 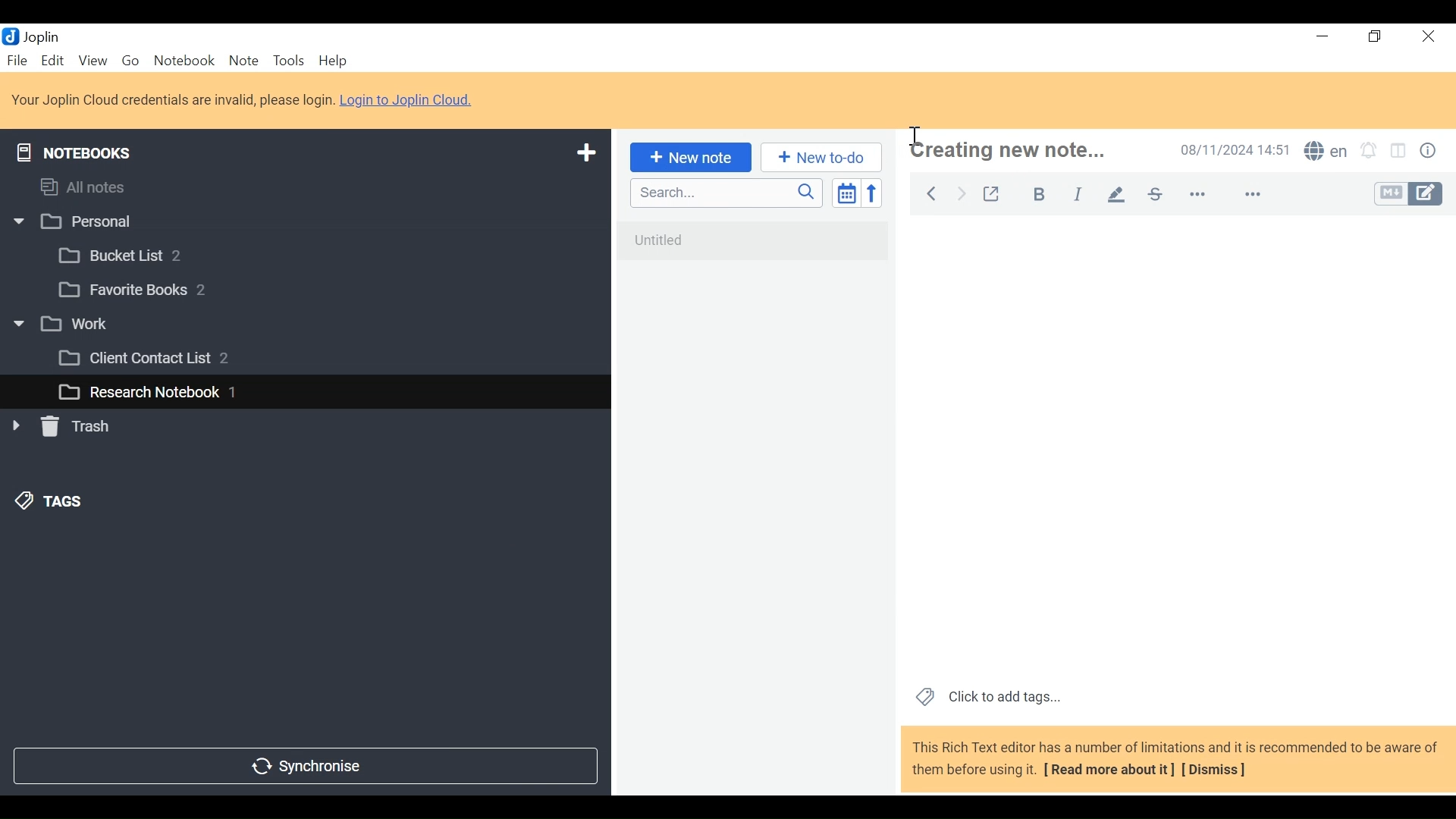 I want to click on Date and Time, so click(x=1231, y=149).